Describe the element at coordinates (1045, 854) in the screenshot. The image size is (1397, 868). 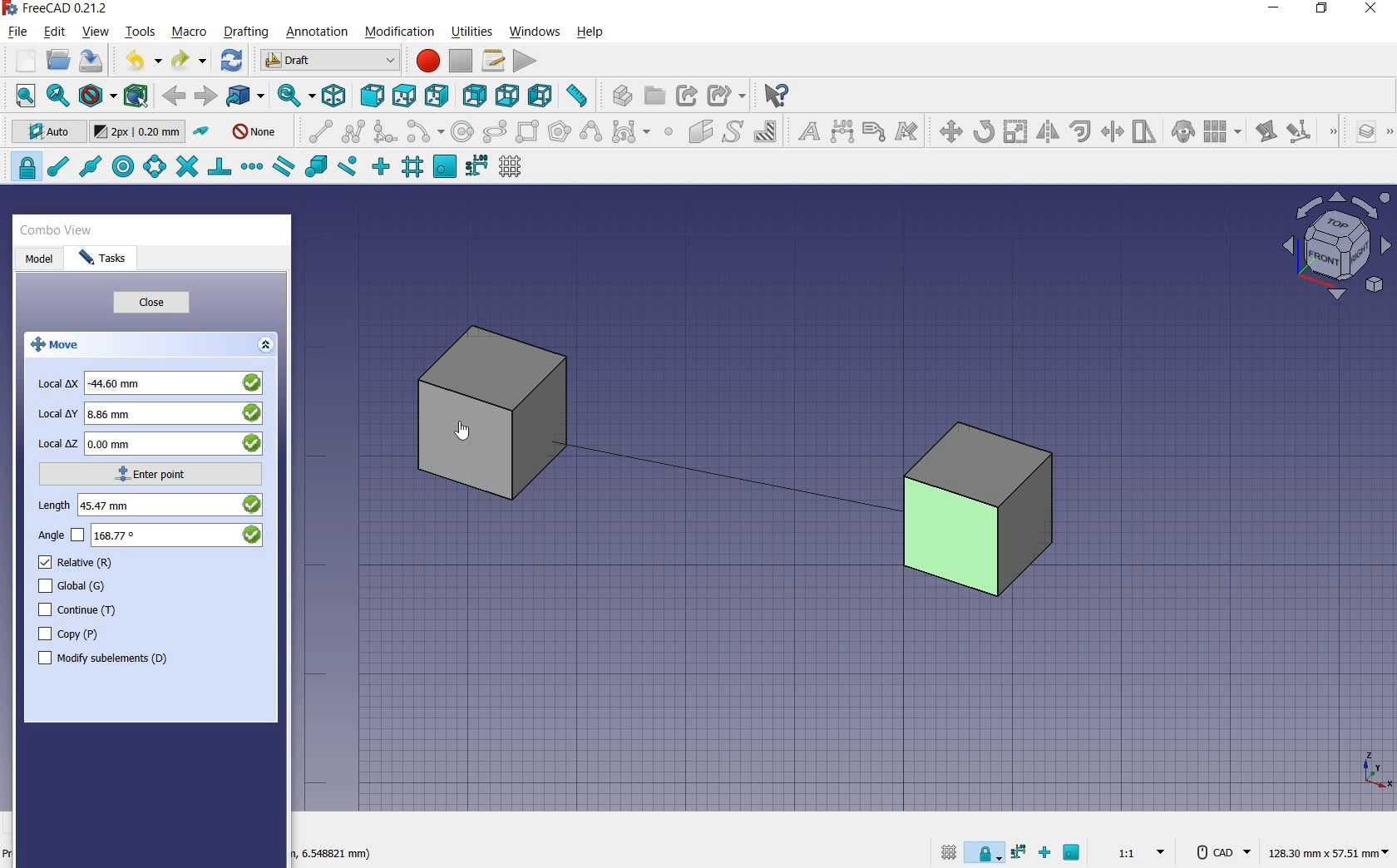
I see `snap ortho` at that location.